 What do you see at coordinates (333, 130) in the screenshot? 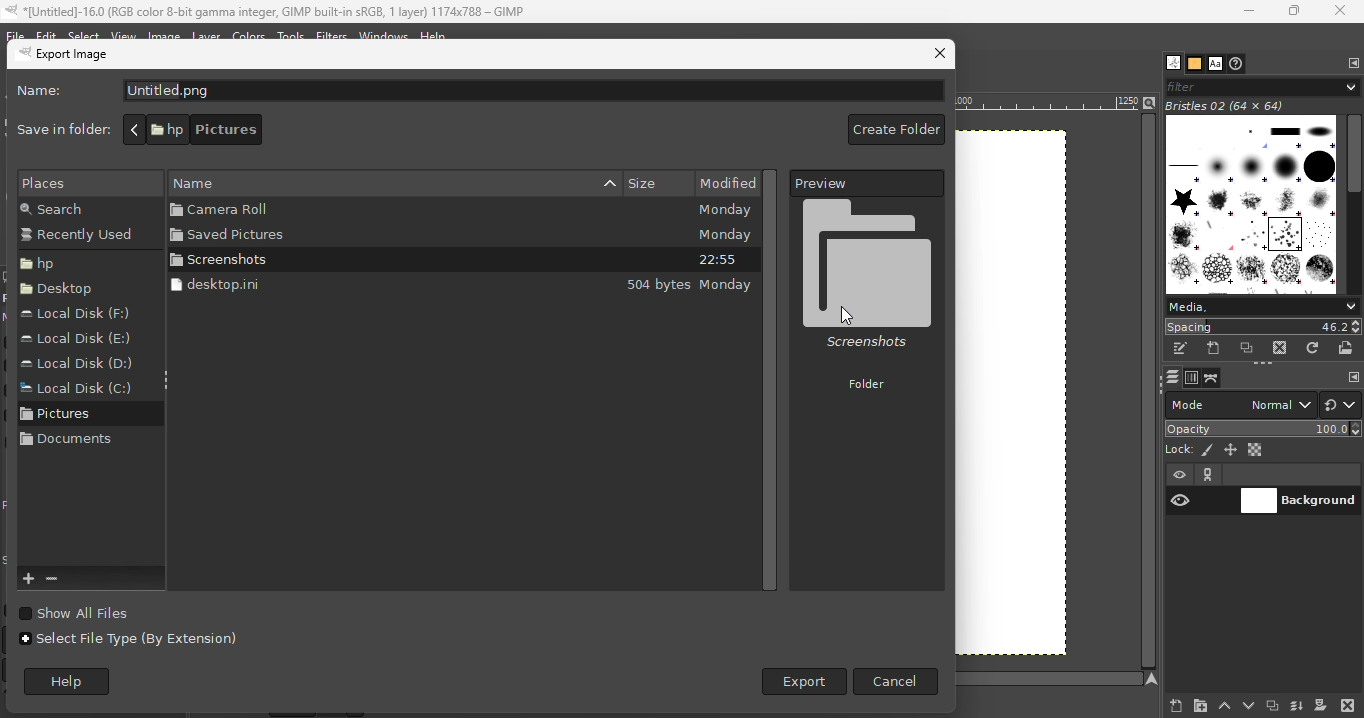
I see `my Pictures` at bounding box center [333, 130].